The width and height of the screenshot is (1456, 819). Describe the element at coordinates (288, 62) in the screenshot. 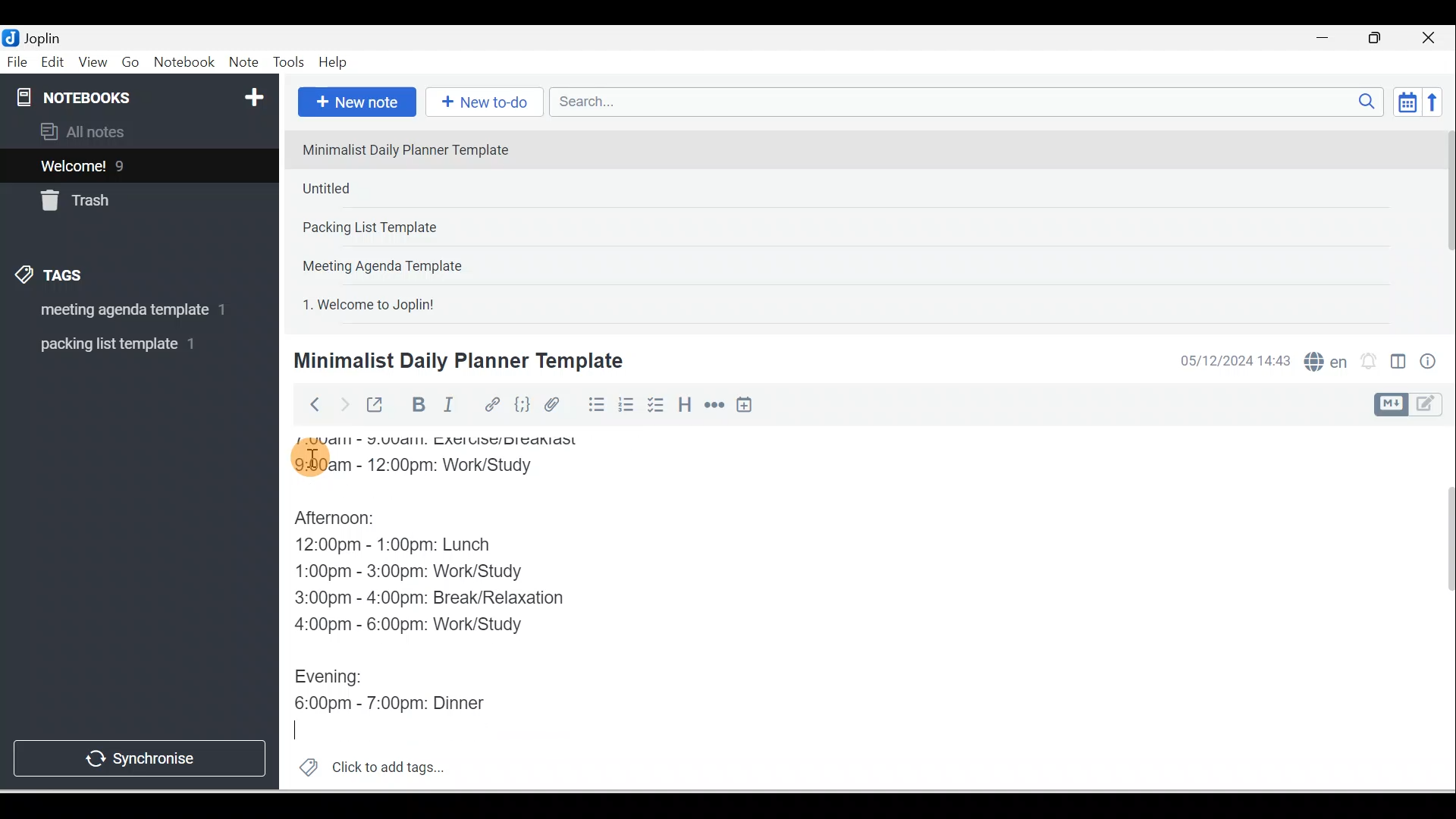

I see `Tools` at that location.